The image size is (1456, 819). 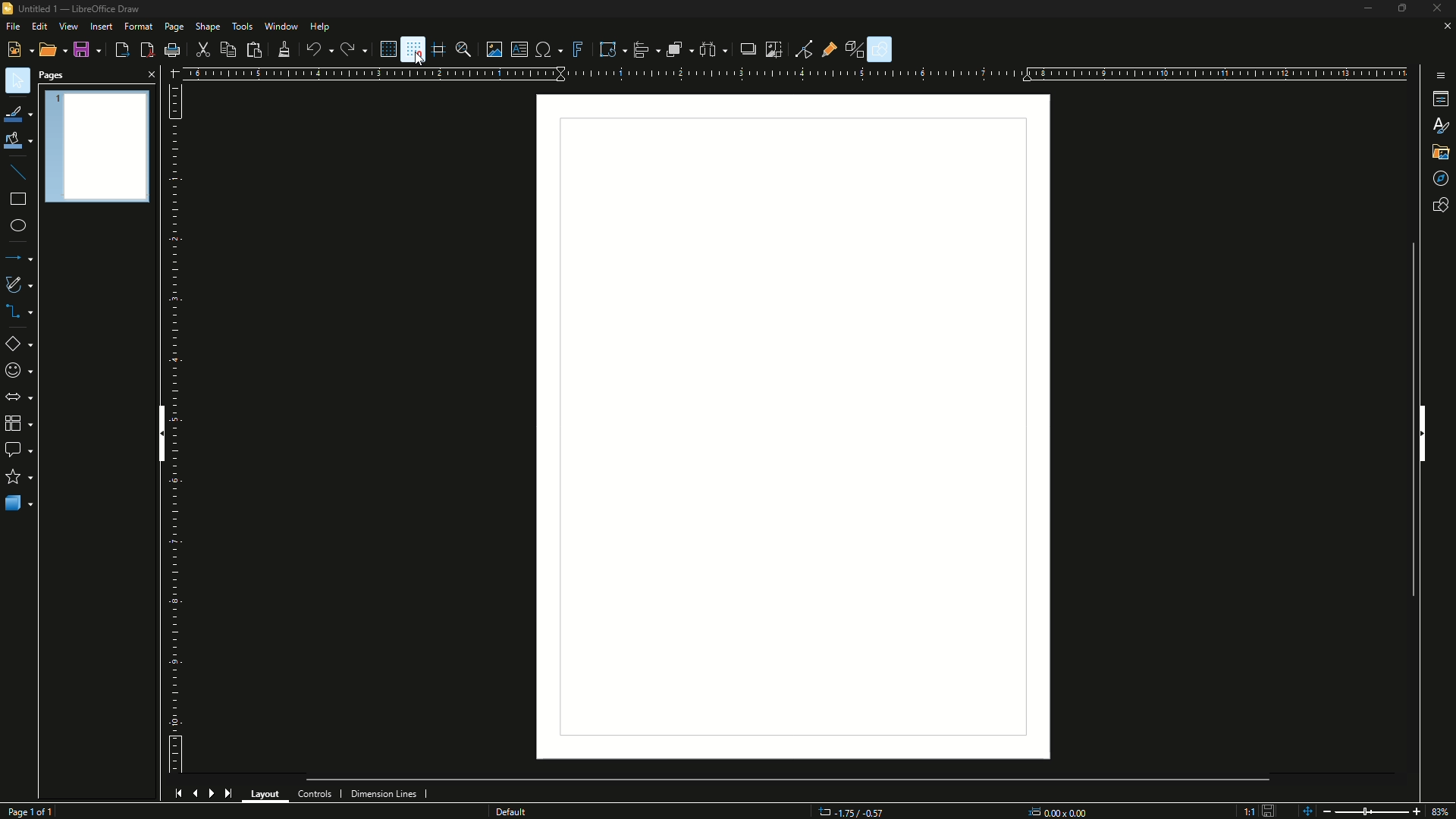 I want to click on Insert, so click(x=105, y=27).